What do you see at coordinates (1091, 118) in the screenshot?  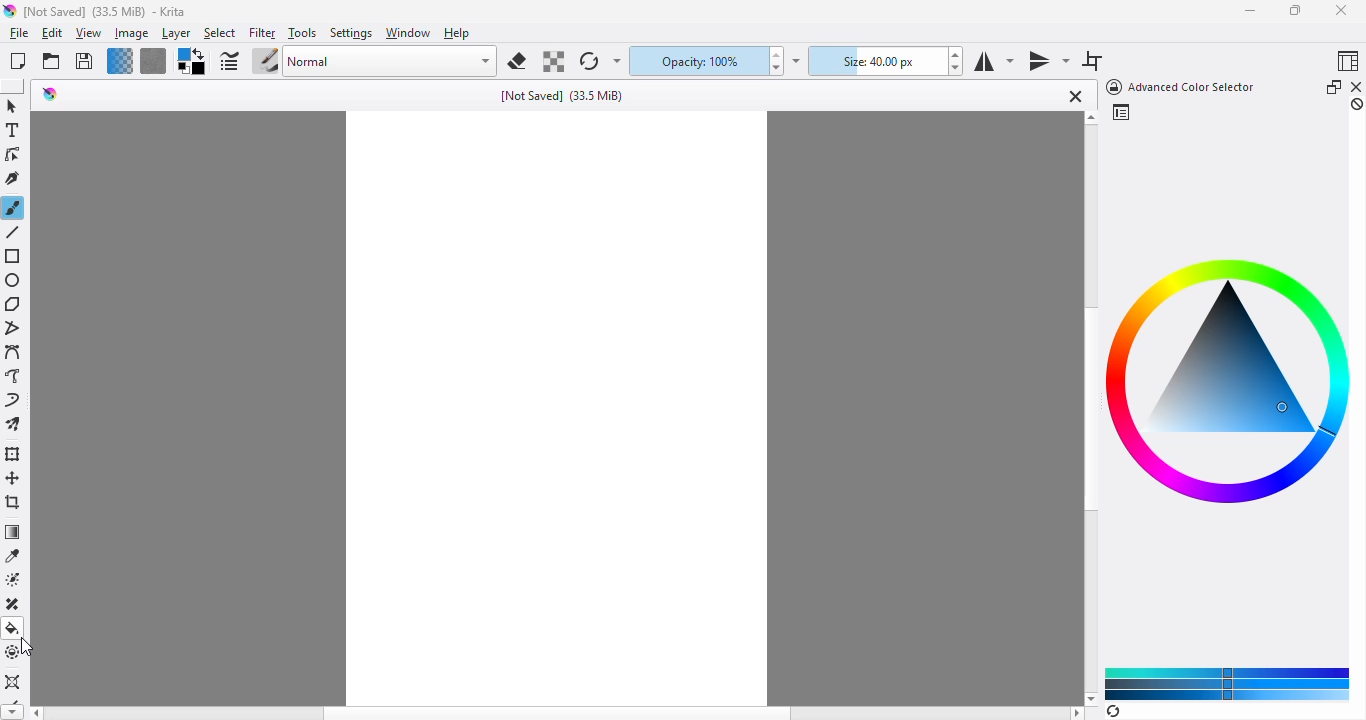 I see `scroll up` at bounding box center [1091, 118].